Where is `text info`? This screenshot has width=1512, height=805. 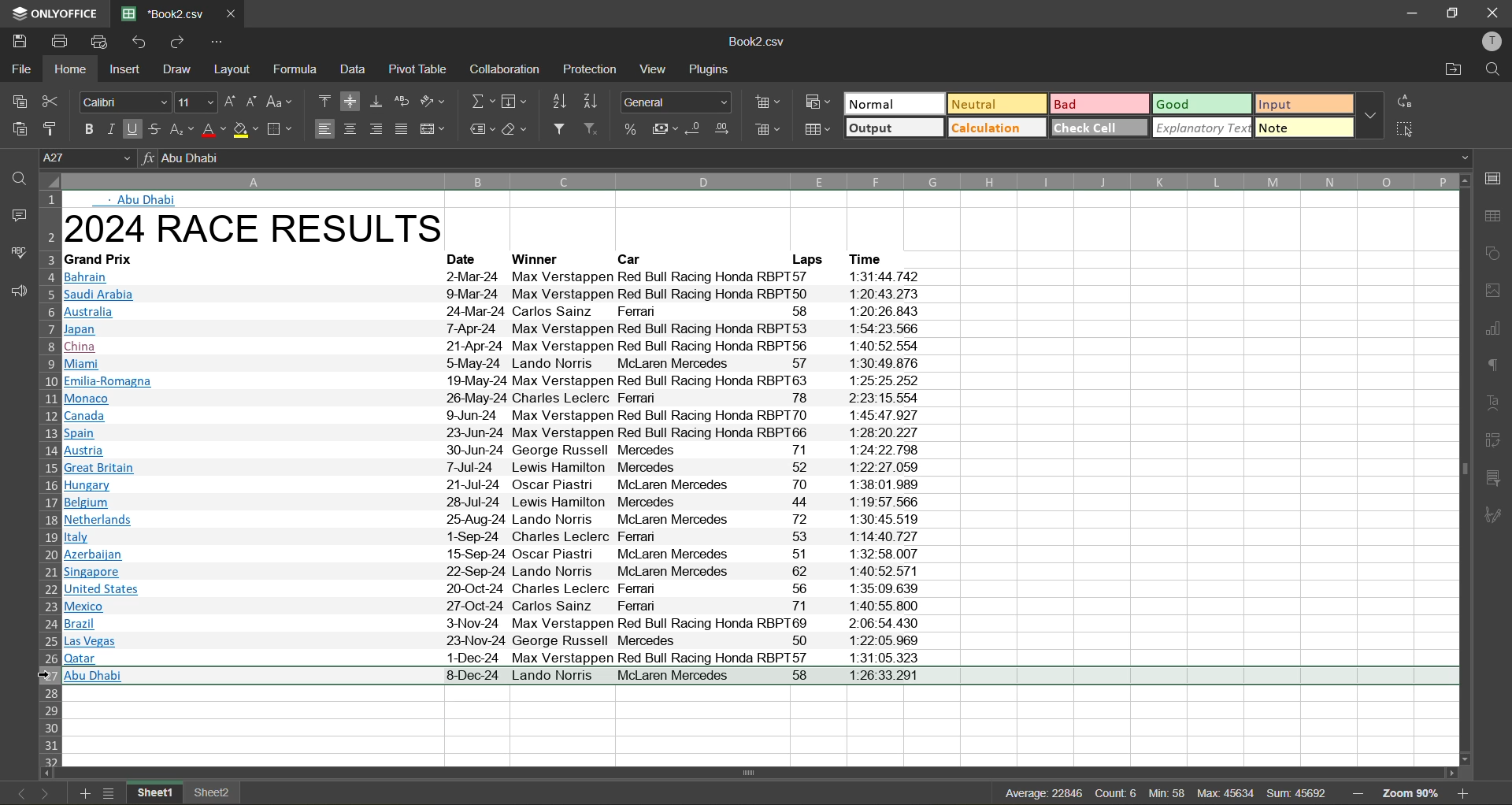 text info is located at coordinates (491, 555).